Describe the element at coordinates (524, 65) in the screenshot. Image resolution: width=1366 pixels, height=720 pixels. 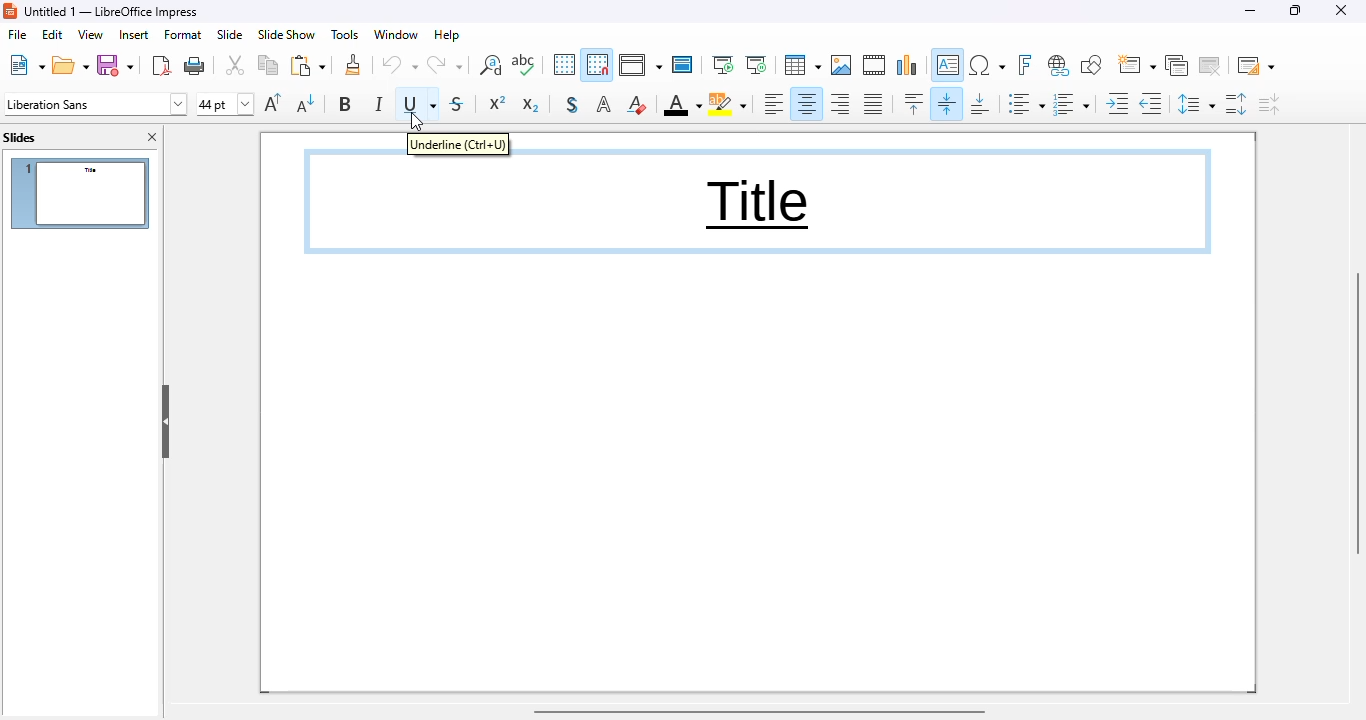
I see `spelling` at that location.